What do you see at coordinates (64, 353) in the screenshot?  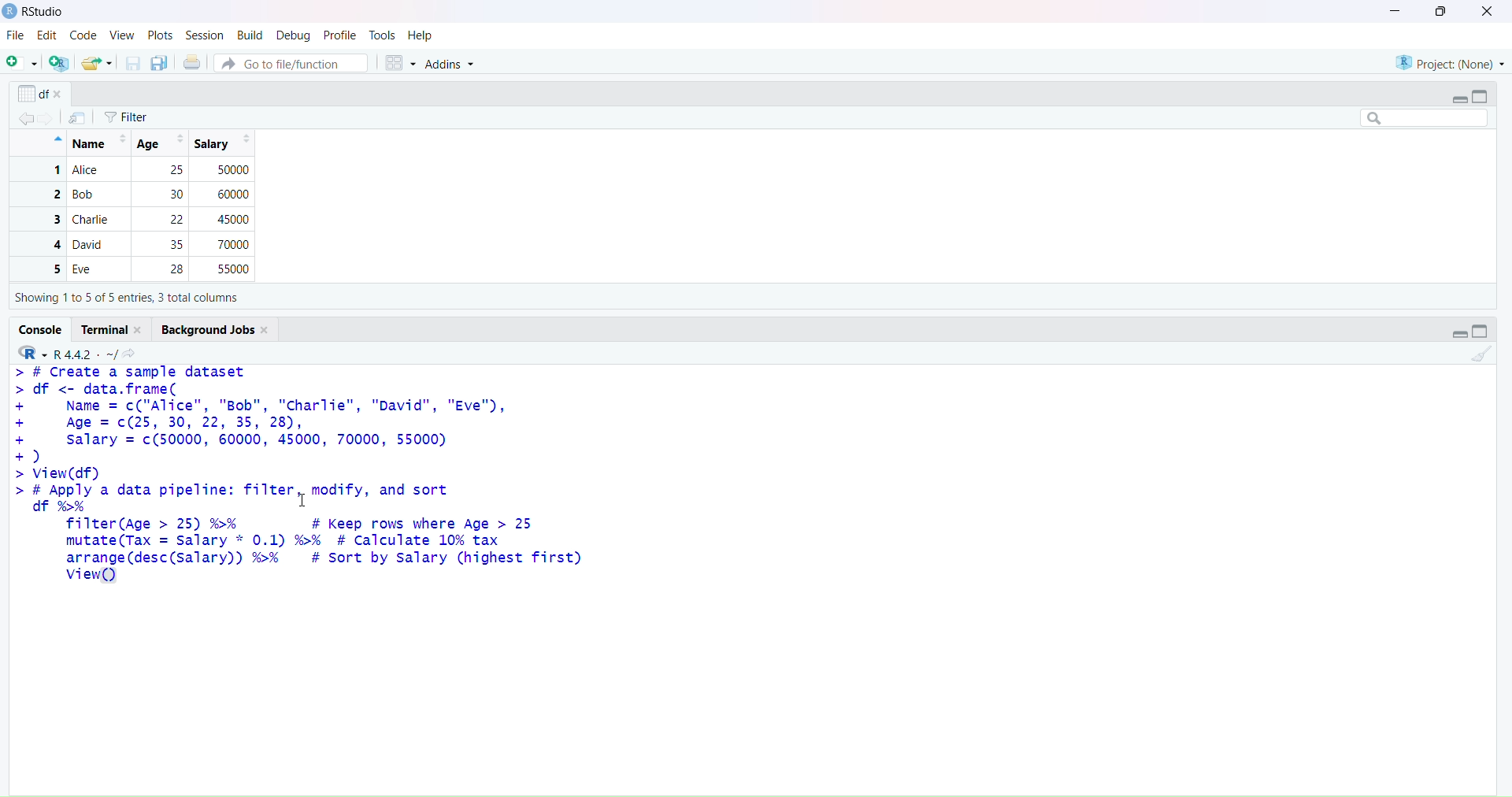 I see `R 4.4.2` at bounding box center [64, 353].